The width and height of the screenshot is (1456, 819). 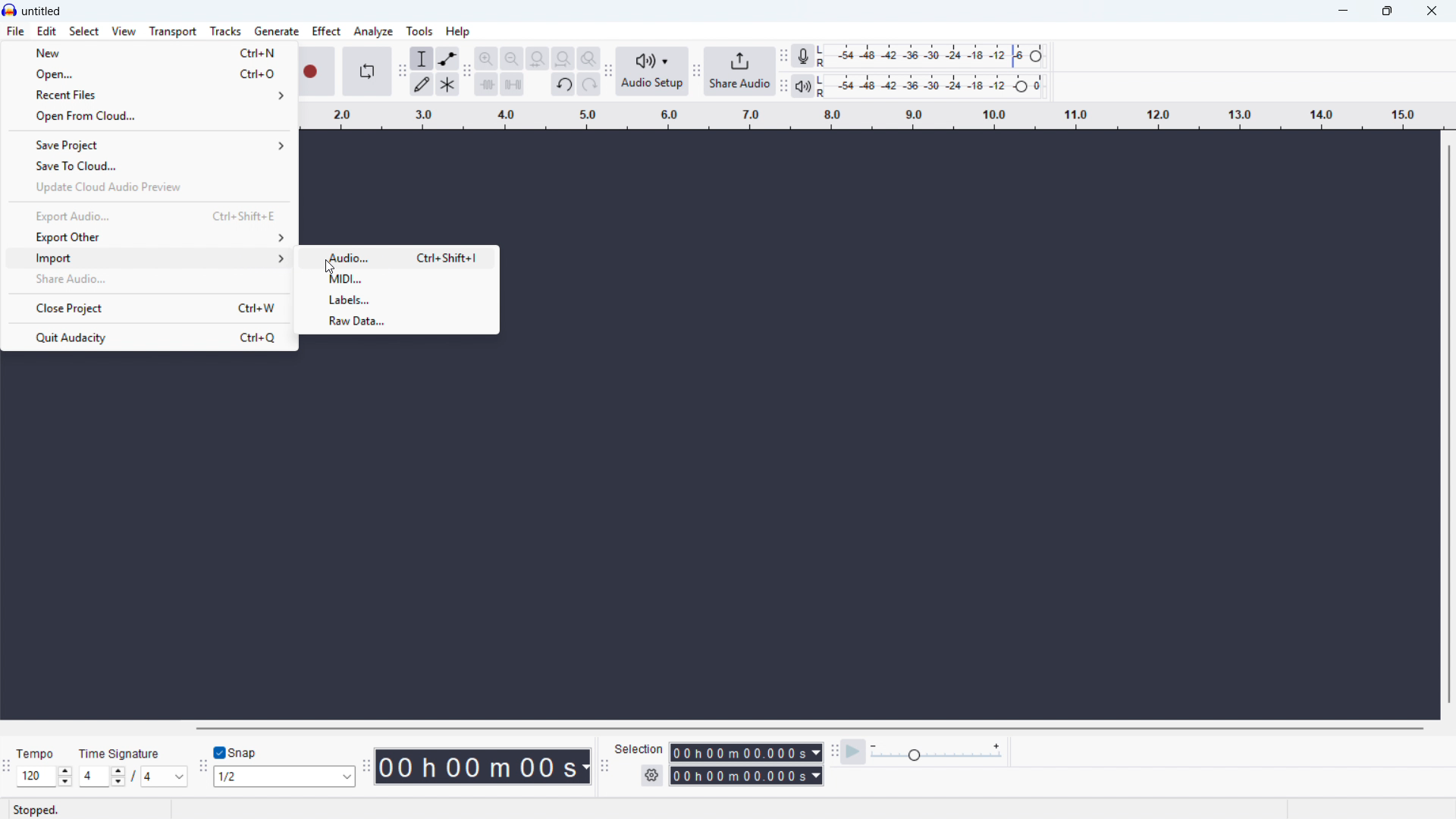 I want to click on Generate , so click(x=276, y=31).